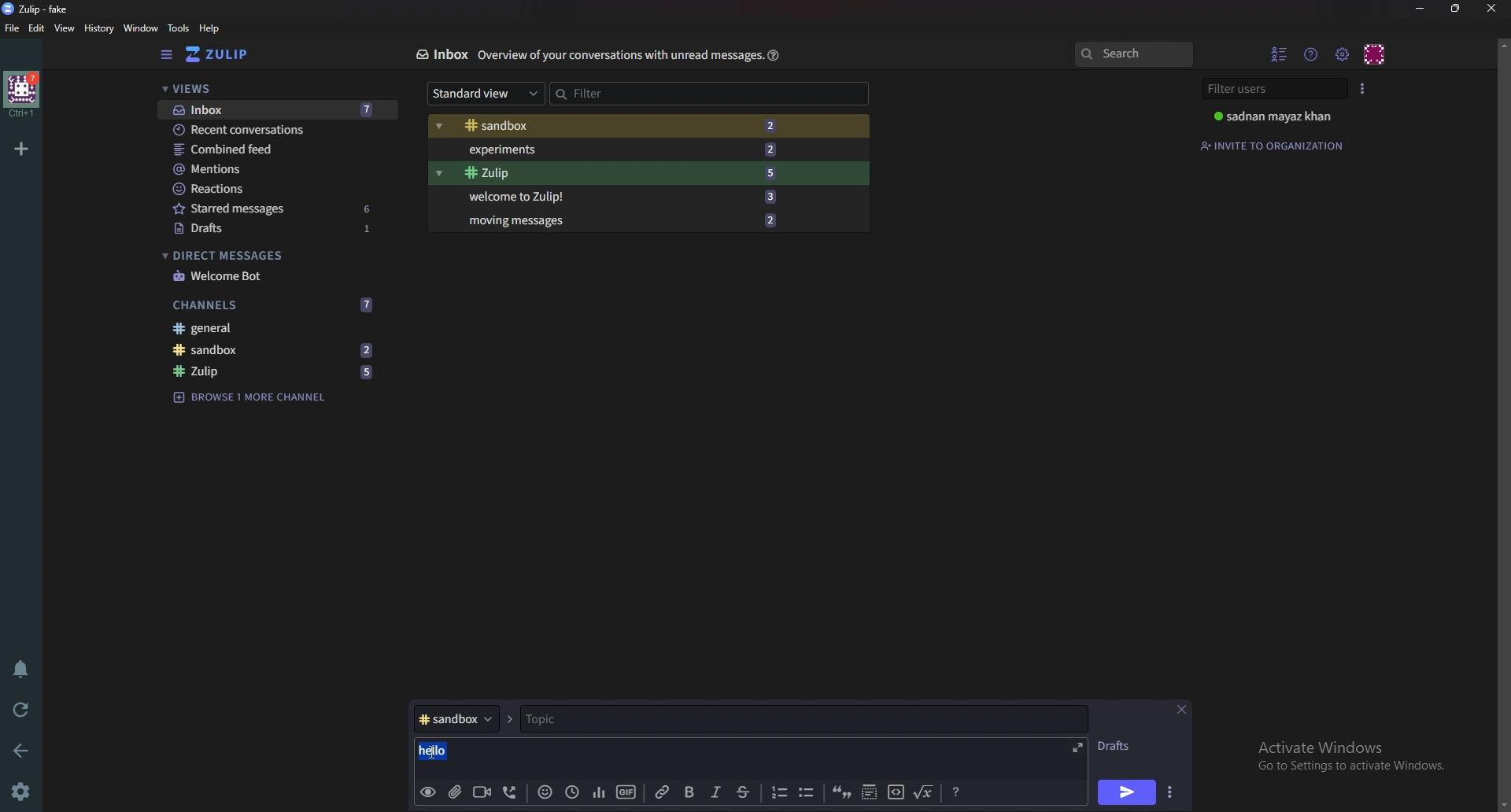  What do you see at coordinates (272, 149) in the screenshot?
I see `Combined feed` at bounding box center [272, 149].